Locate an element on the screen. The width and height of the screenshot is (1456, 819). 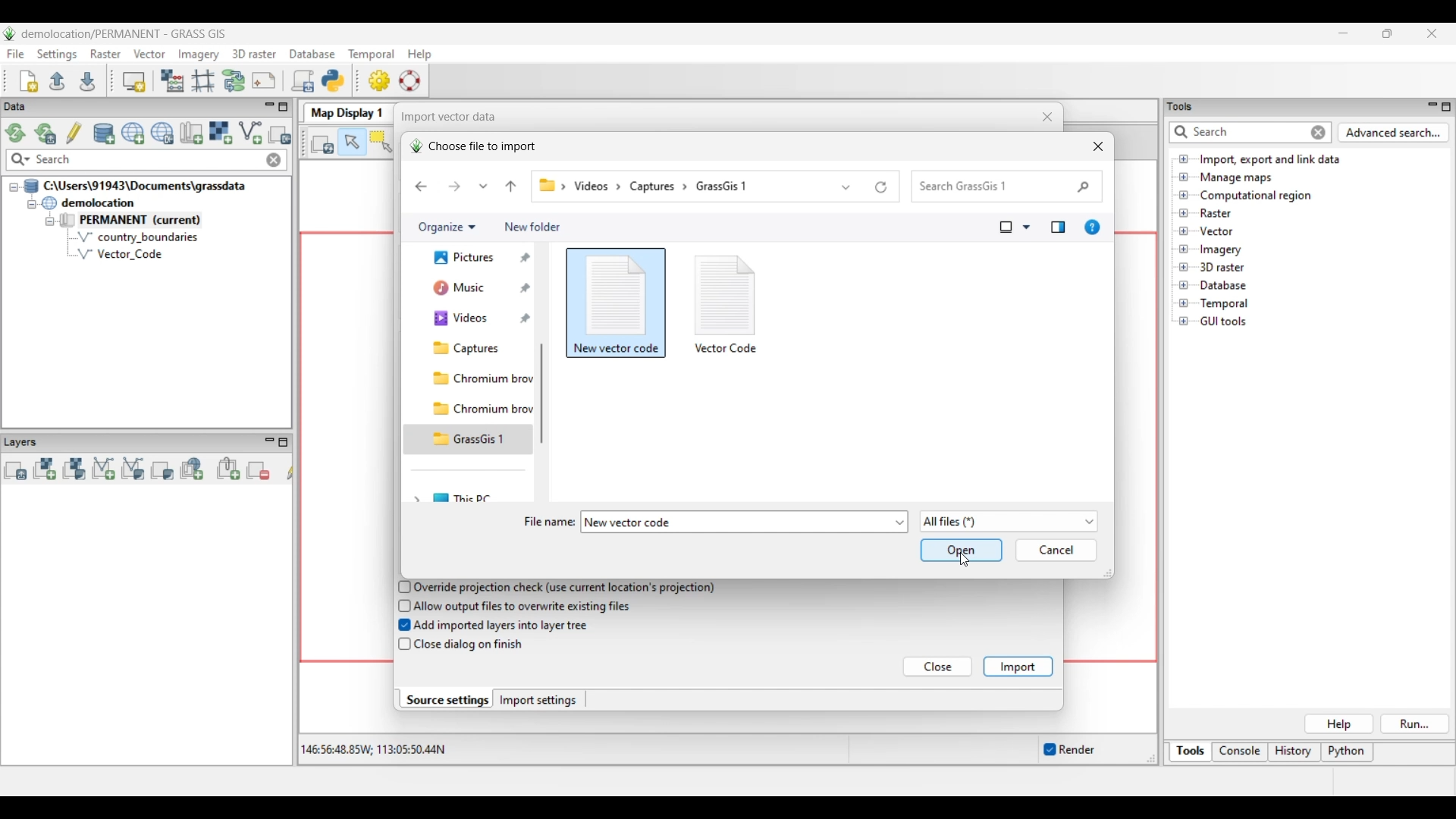
Add raster map layer is located at coordinates (45, 469).